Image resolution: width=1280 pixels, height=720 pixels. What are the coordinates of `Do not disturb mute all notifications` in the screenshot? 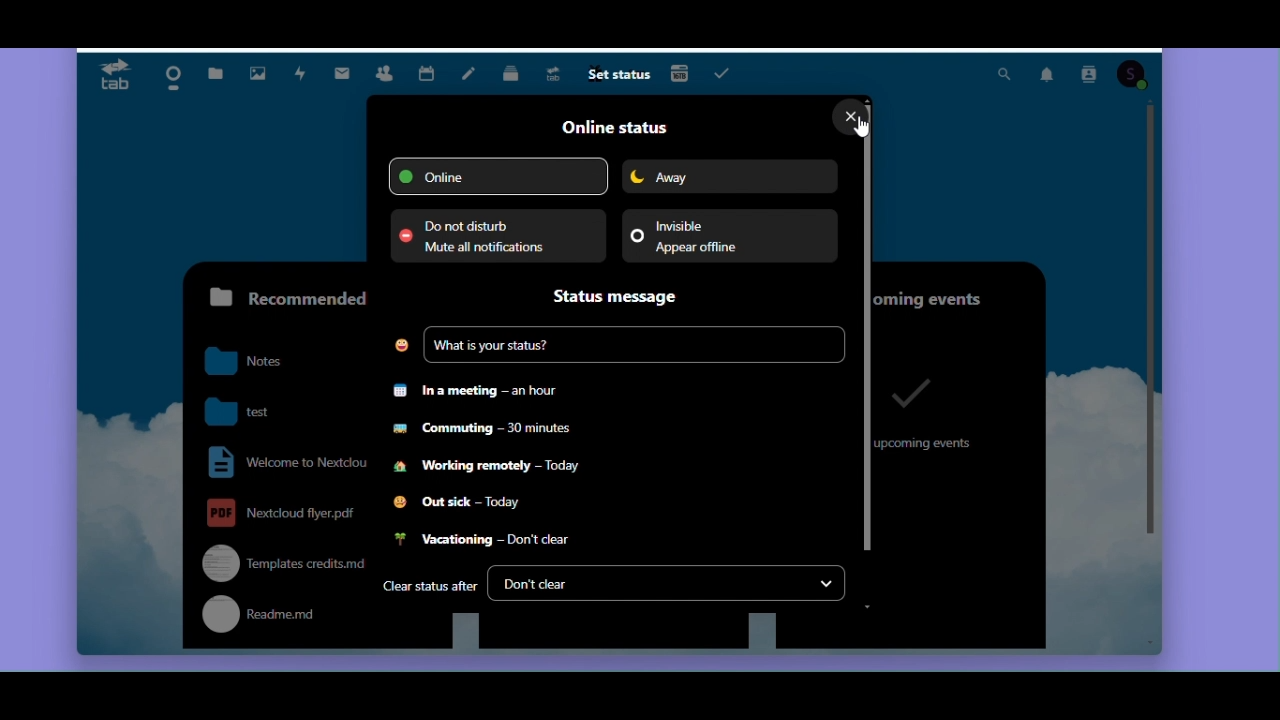 It's located at (497, 236).